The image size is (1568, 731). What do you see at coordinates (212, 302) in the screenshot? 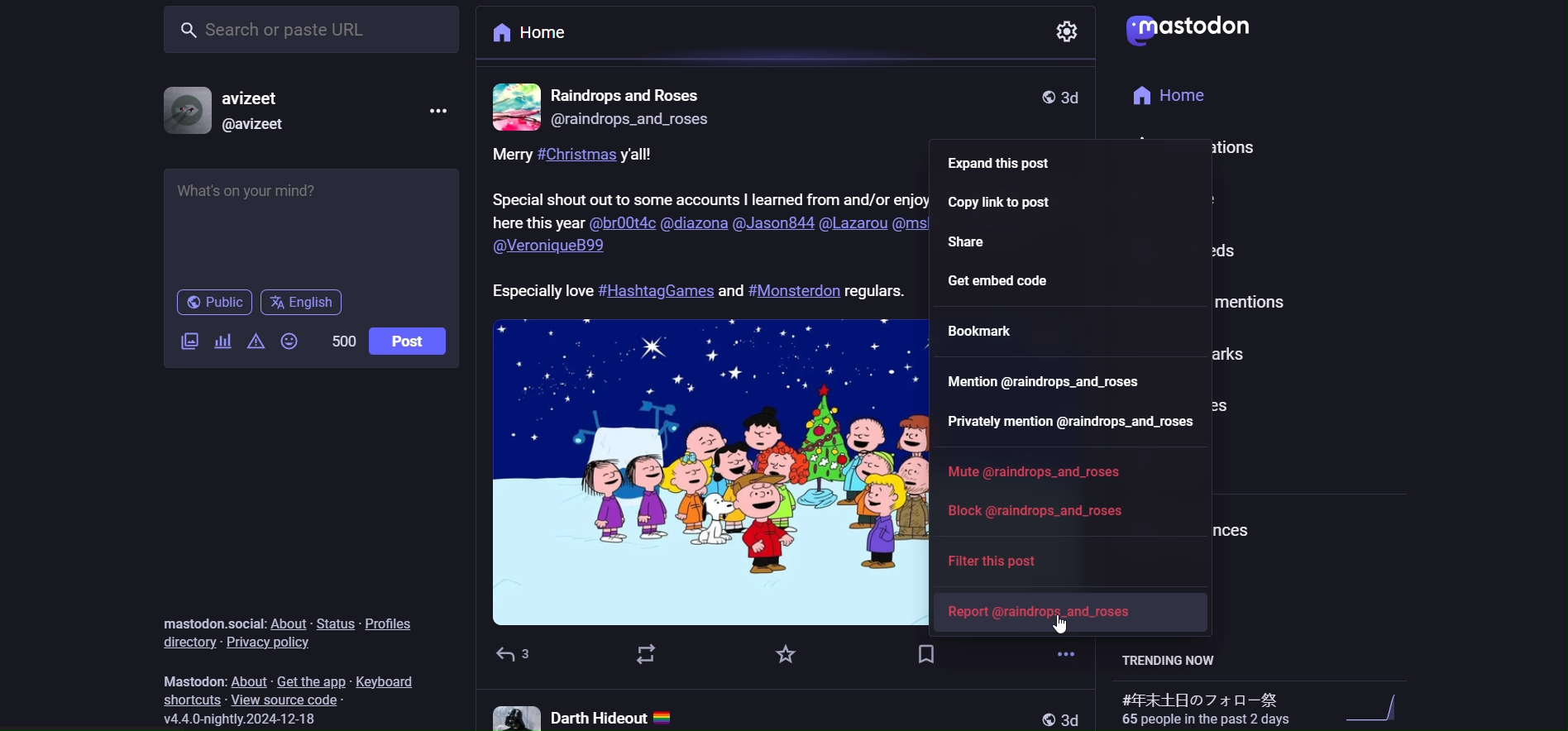
I see `public` at bounding box center [212, 302].